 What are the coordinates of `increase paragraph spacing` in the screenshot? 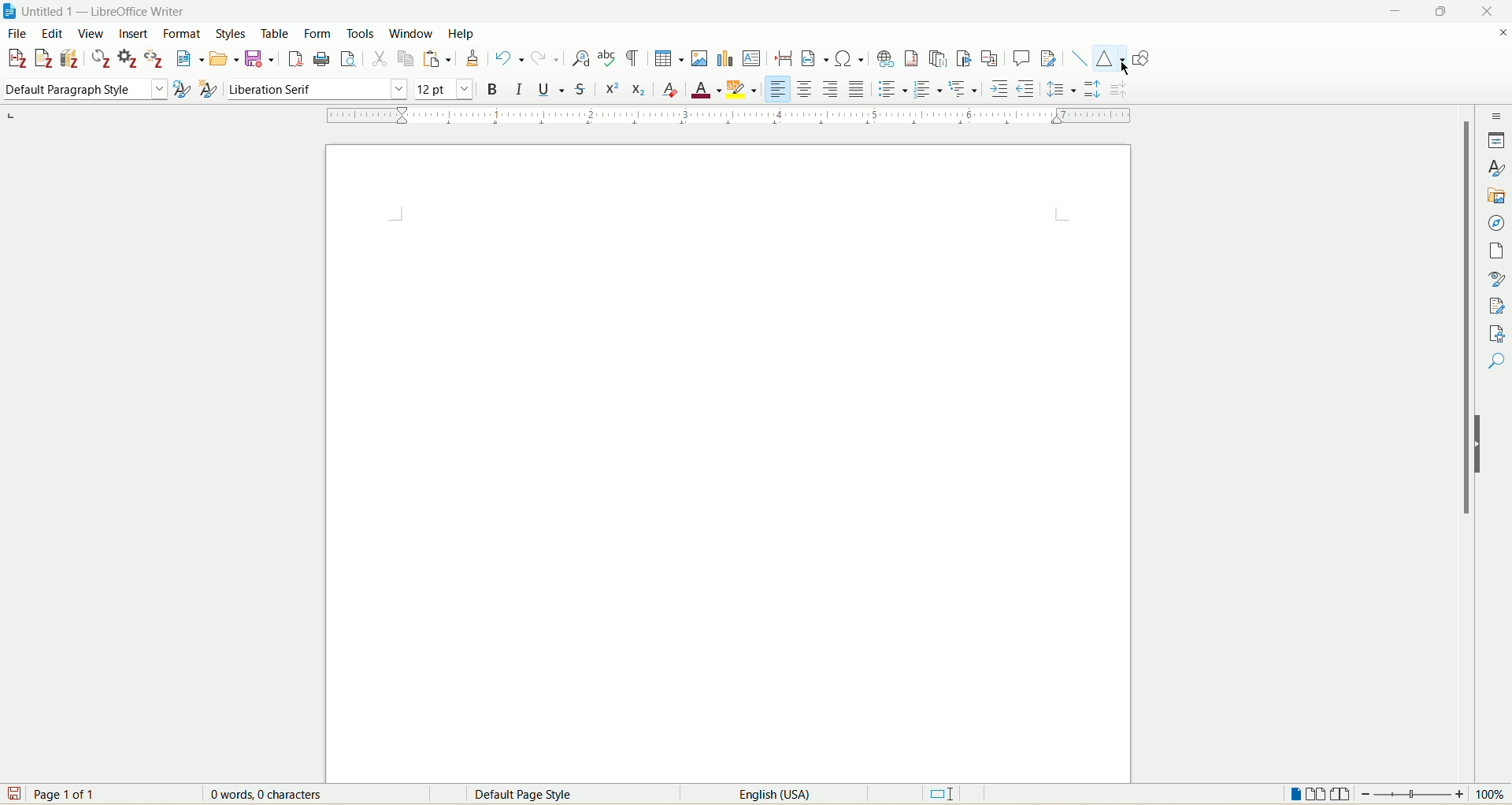 It's located at (1092, 88).